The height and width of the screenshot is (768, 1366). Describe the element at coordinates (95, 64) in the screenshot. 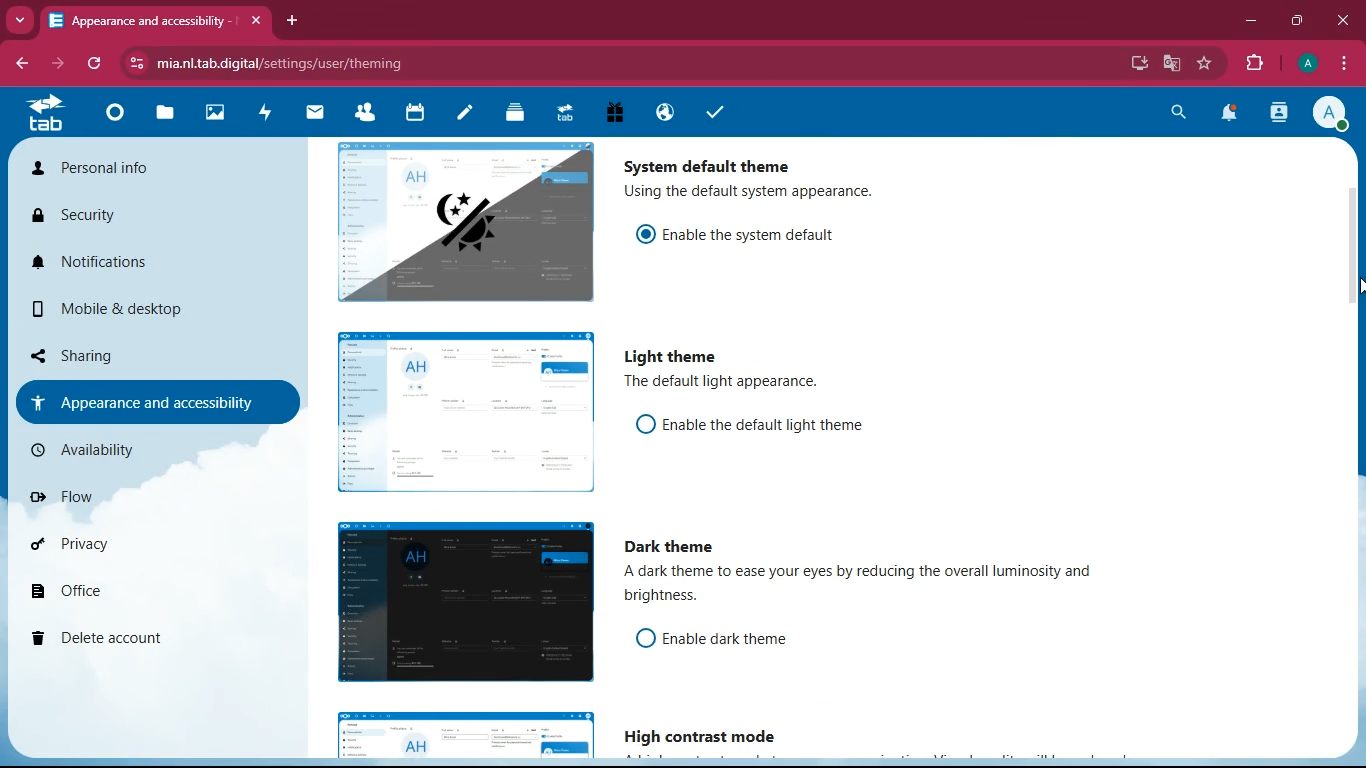

I see `refresh` at that location.